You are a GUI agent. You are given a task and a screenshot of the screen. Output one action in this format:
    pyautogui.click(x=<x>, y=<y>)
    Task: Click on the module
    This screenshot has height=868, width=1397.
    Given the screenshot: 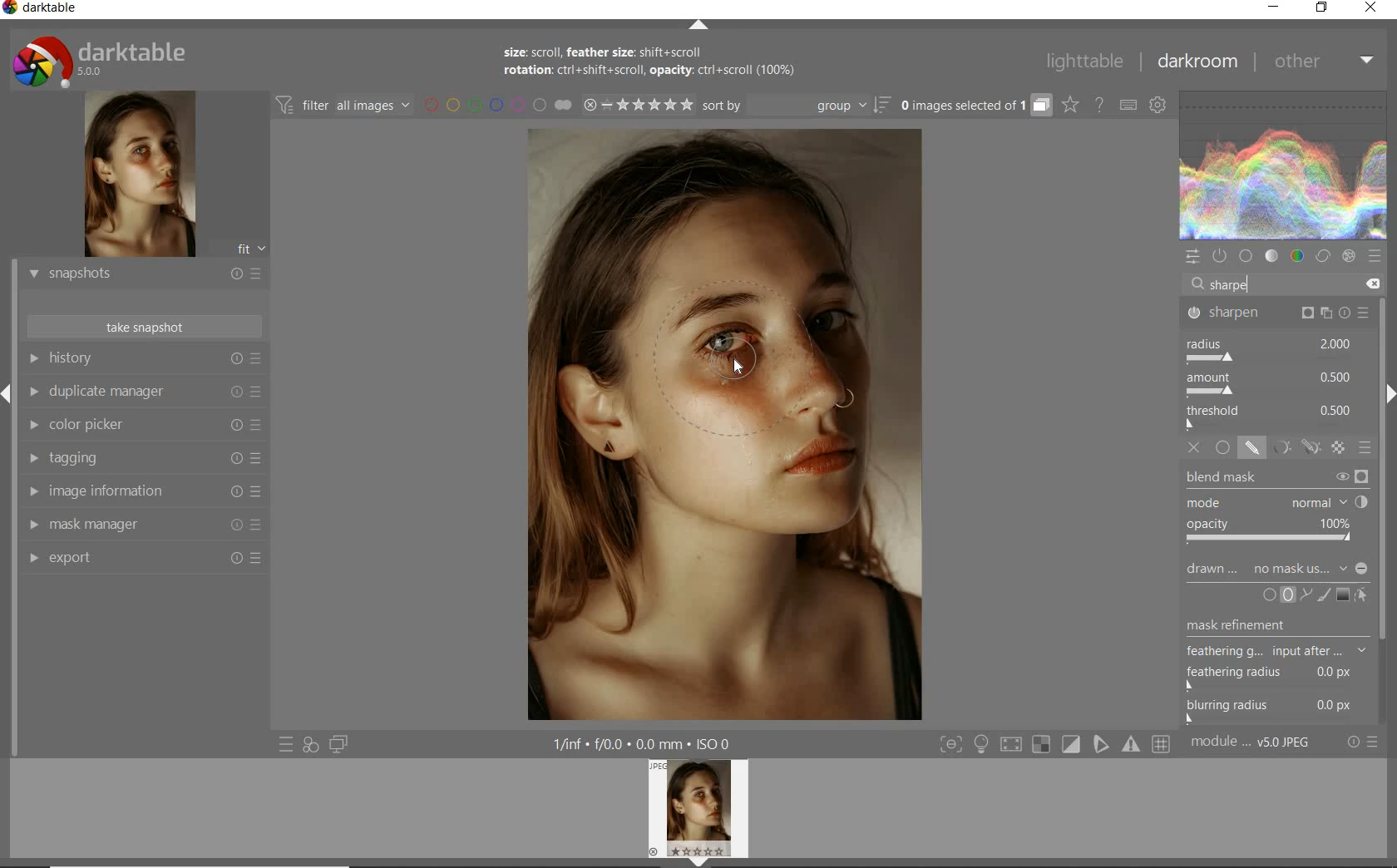 What is the action you would take?
    pyautogui.click(x=1252, y=742)
    